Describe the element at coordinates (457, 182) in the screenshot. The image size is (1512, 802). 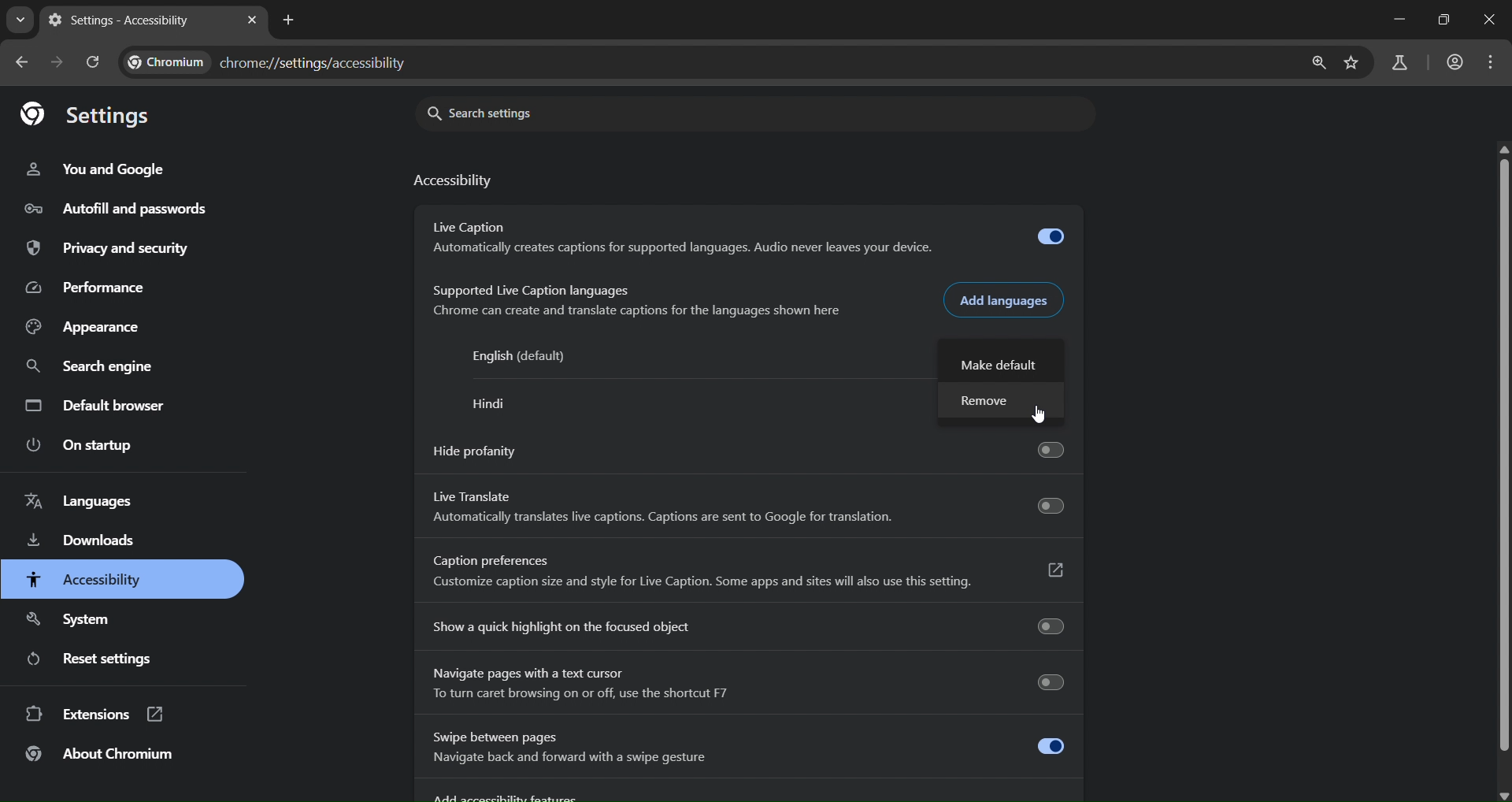
I see `accessibility` at that location.